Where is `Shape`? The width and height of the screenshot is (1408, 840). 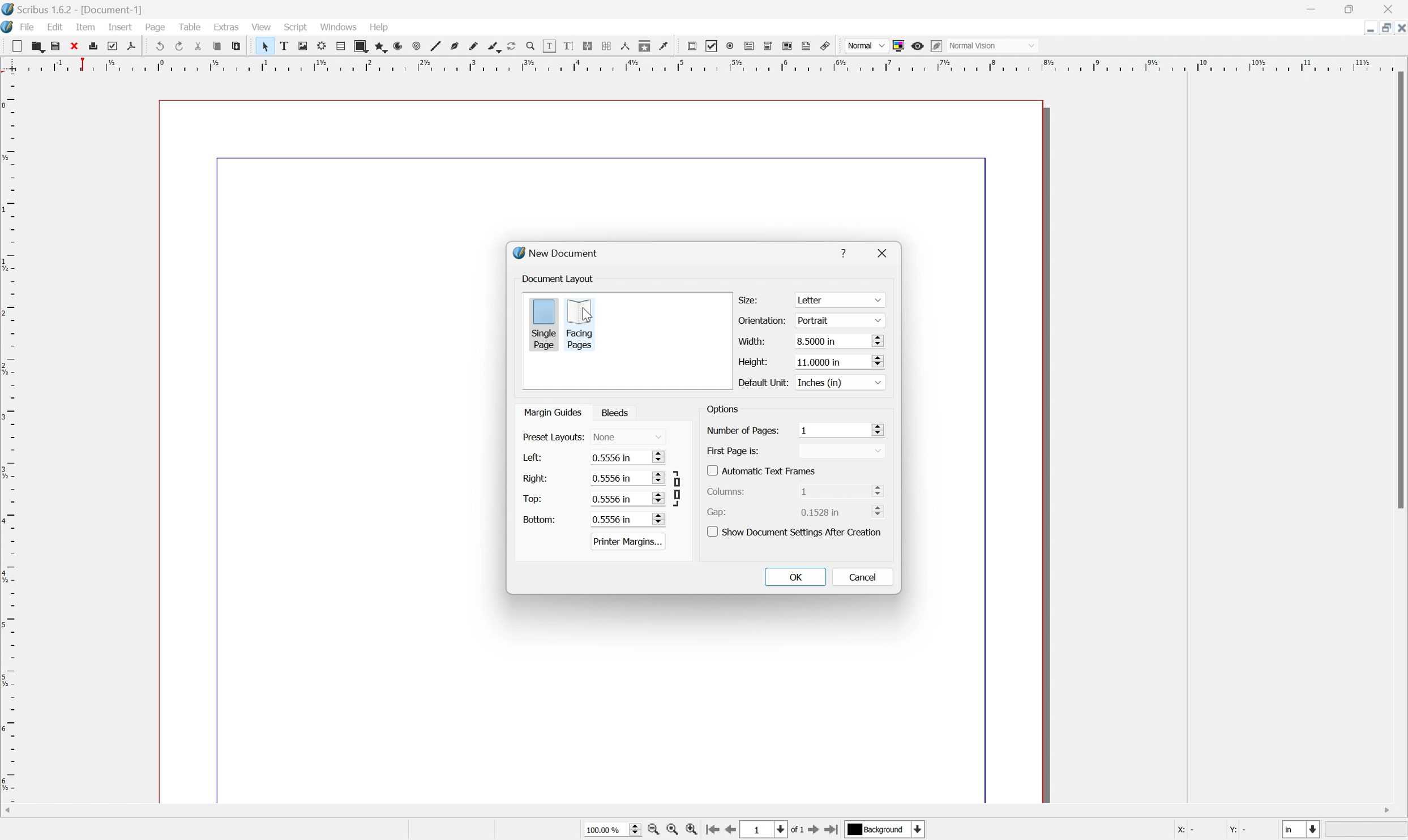 Shape is located at coordinates (357, 45).